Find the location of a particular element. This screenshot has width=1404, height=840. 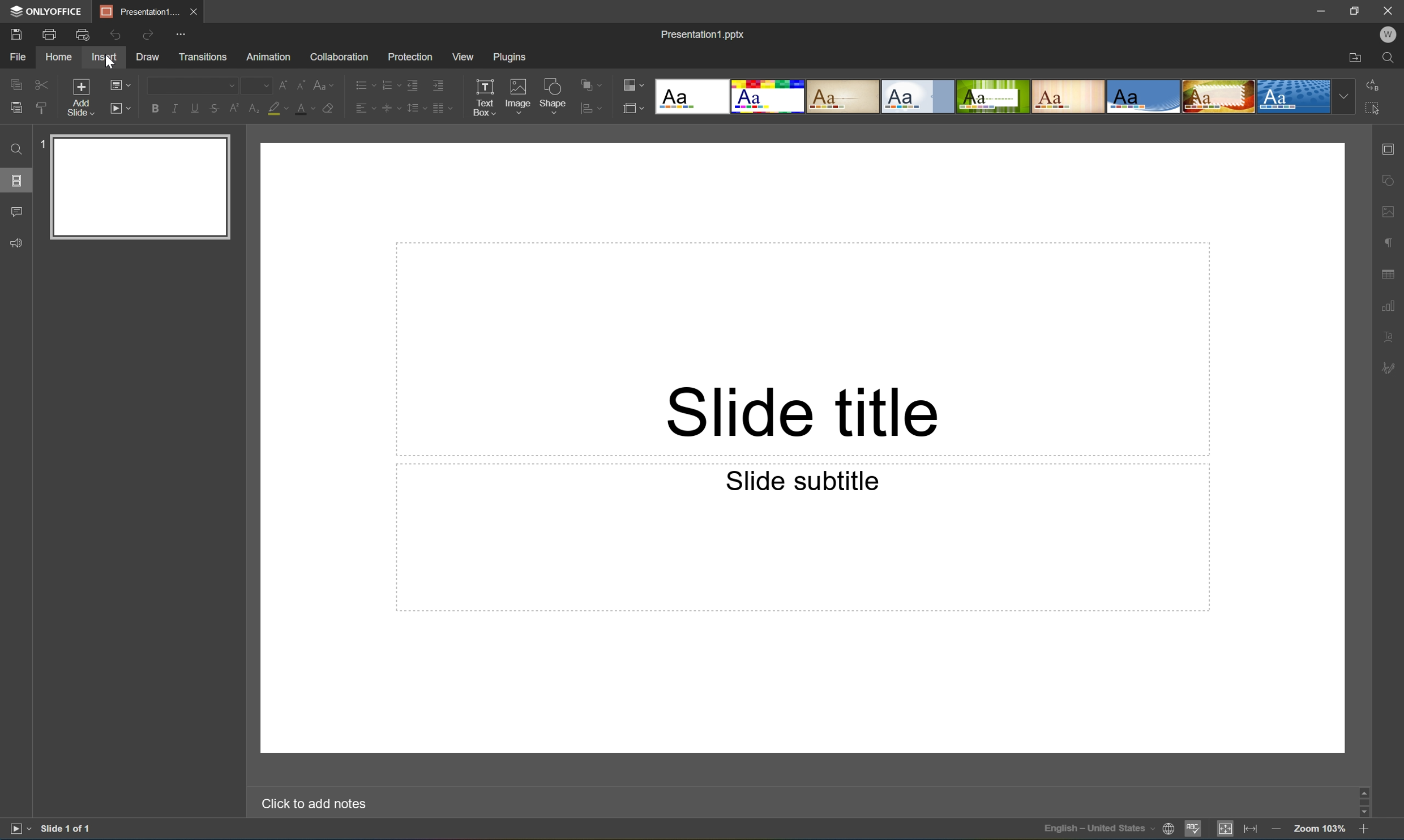

1 is located at coordinates (43, 144).